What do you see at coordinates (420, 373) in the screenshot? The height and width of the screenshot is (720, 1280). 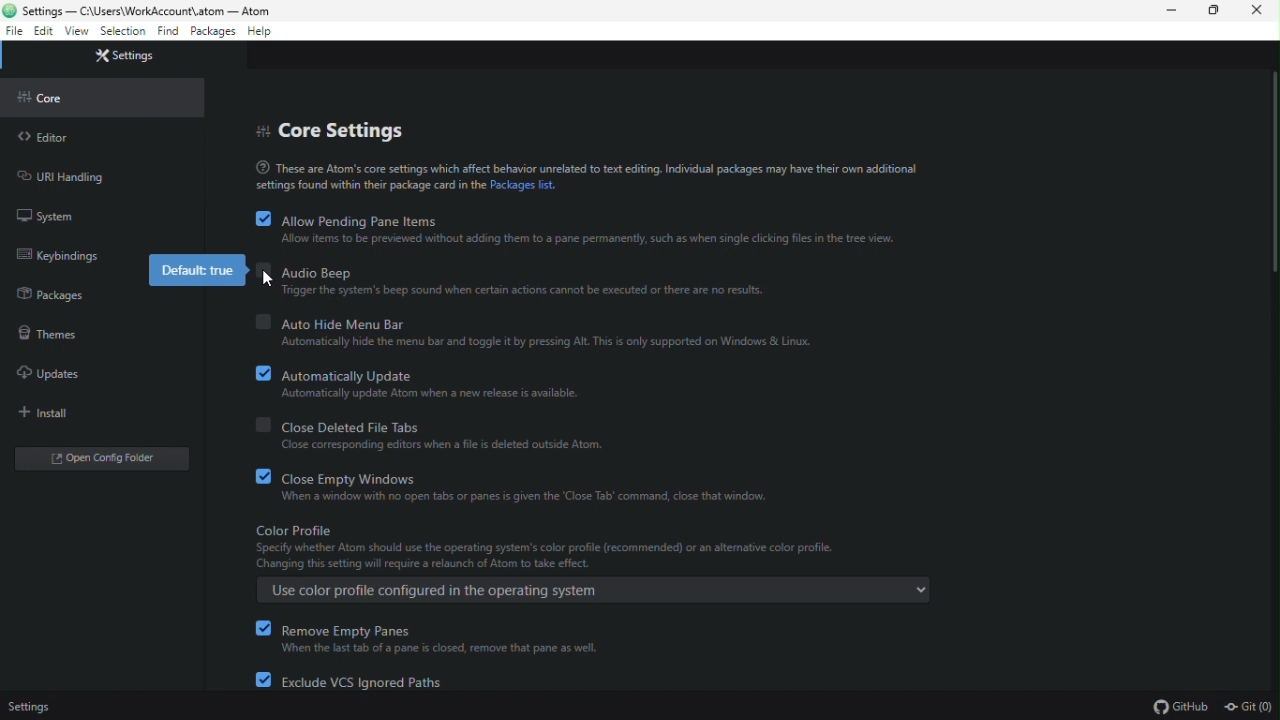 I see `automatically update` at bounding box center [420, 373].